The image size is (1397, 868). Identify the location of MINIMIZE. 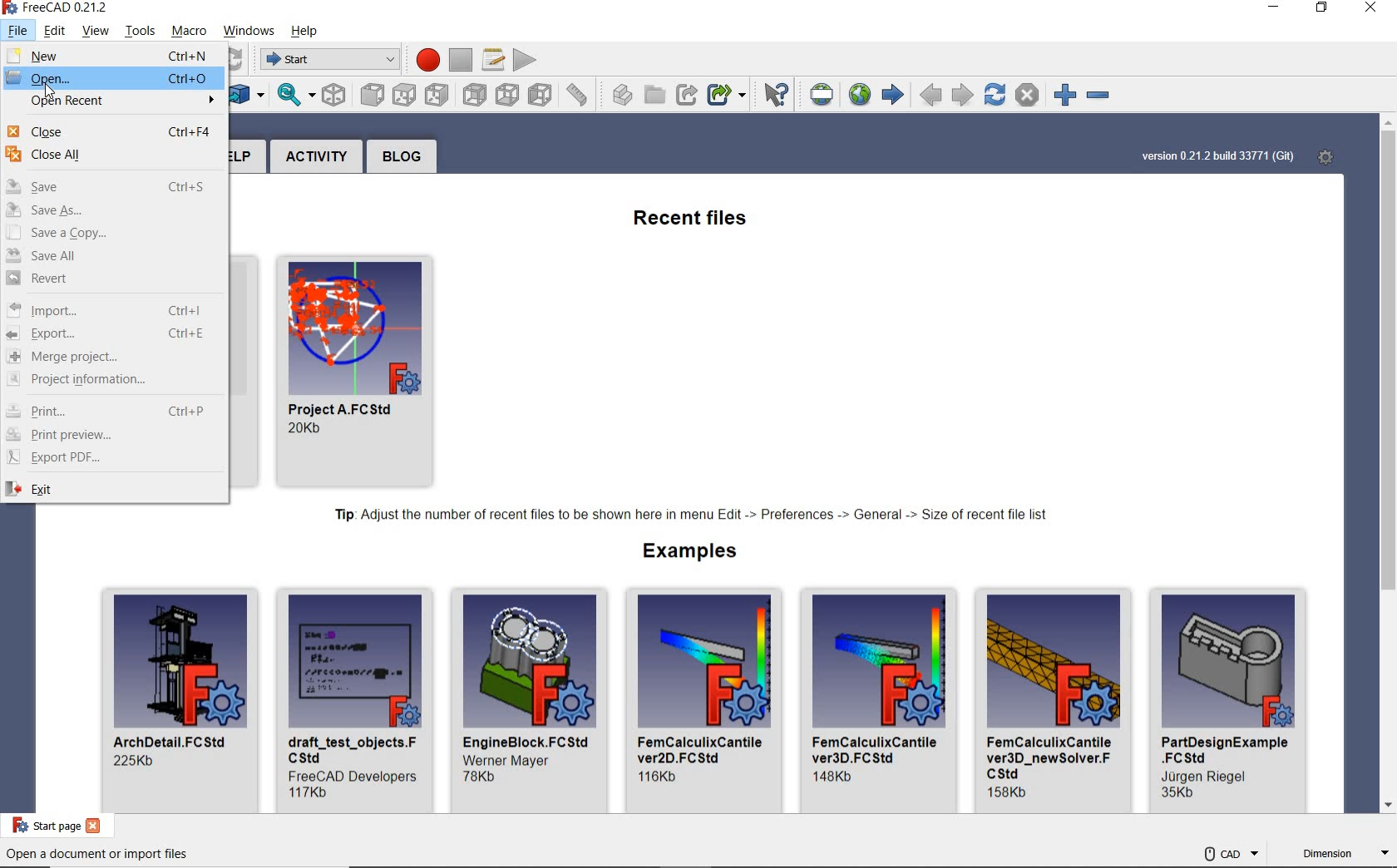
(1276, 9).